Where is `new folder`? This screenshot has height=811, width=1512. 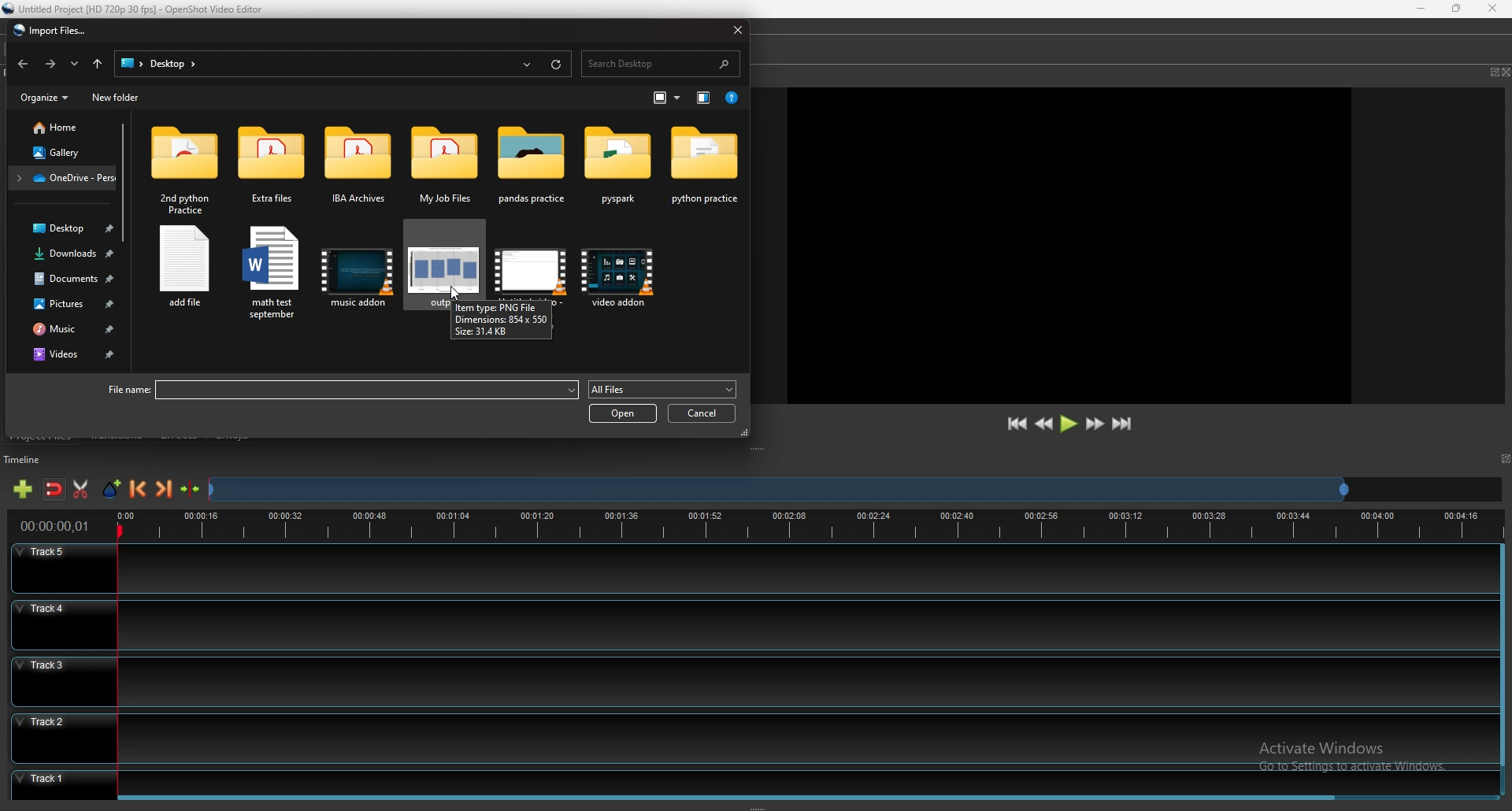
new folder is located at coordinates (117, 98).